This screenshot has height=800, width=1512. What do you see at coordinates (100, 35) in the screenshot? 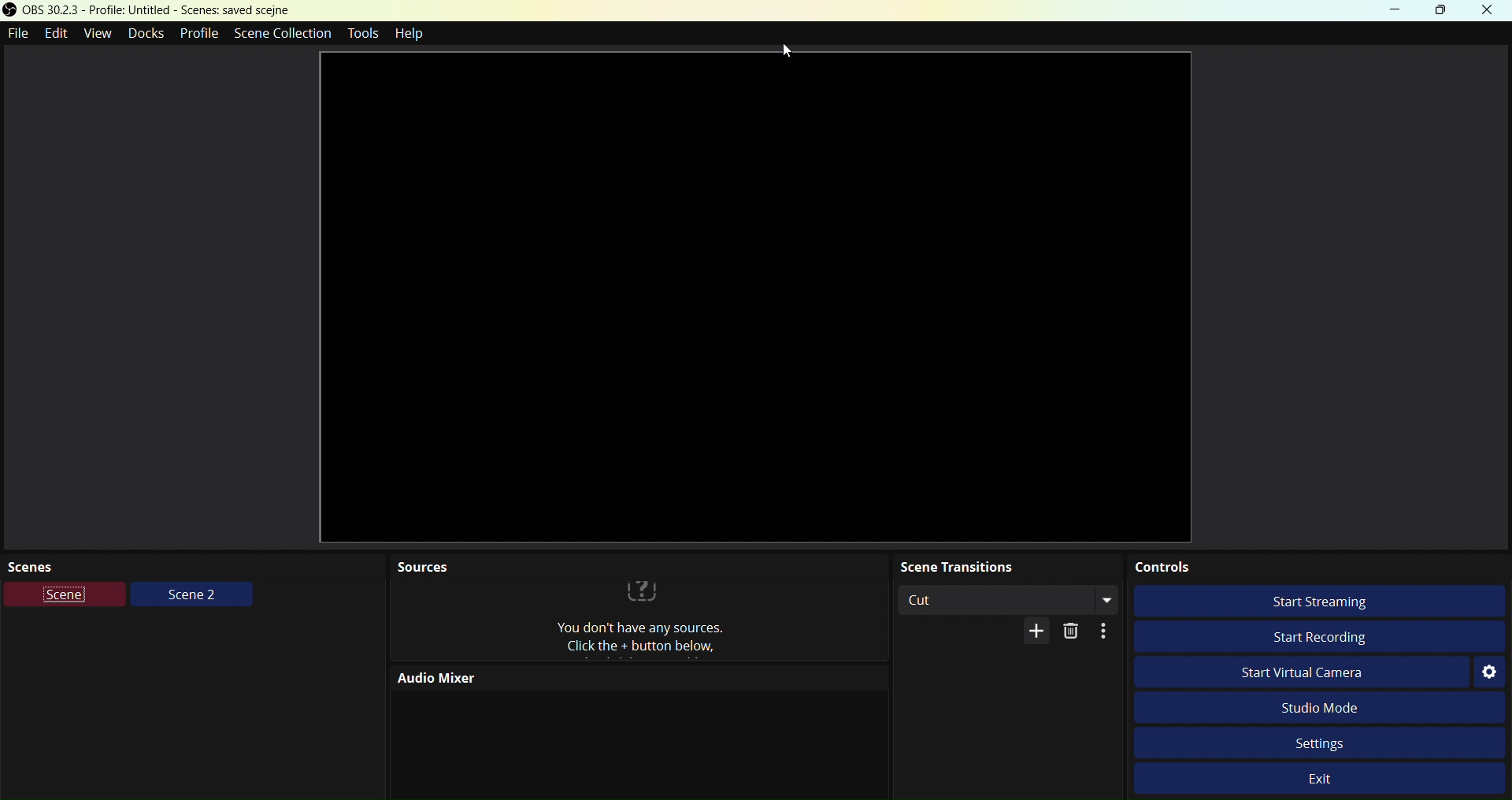
I see `View` at bounding box center [100, 35].